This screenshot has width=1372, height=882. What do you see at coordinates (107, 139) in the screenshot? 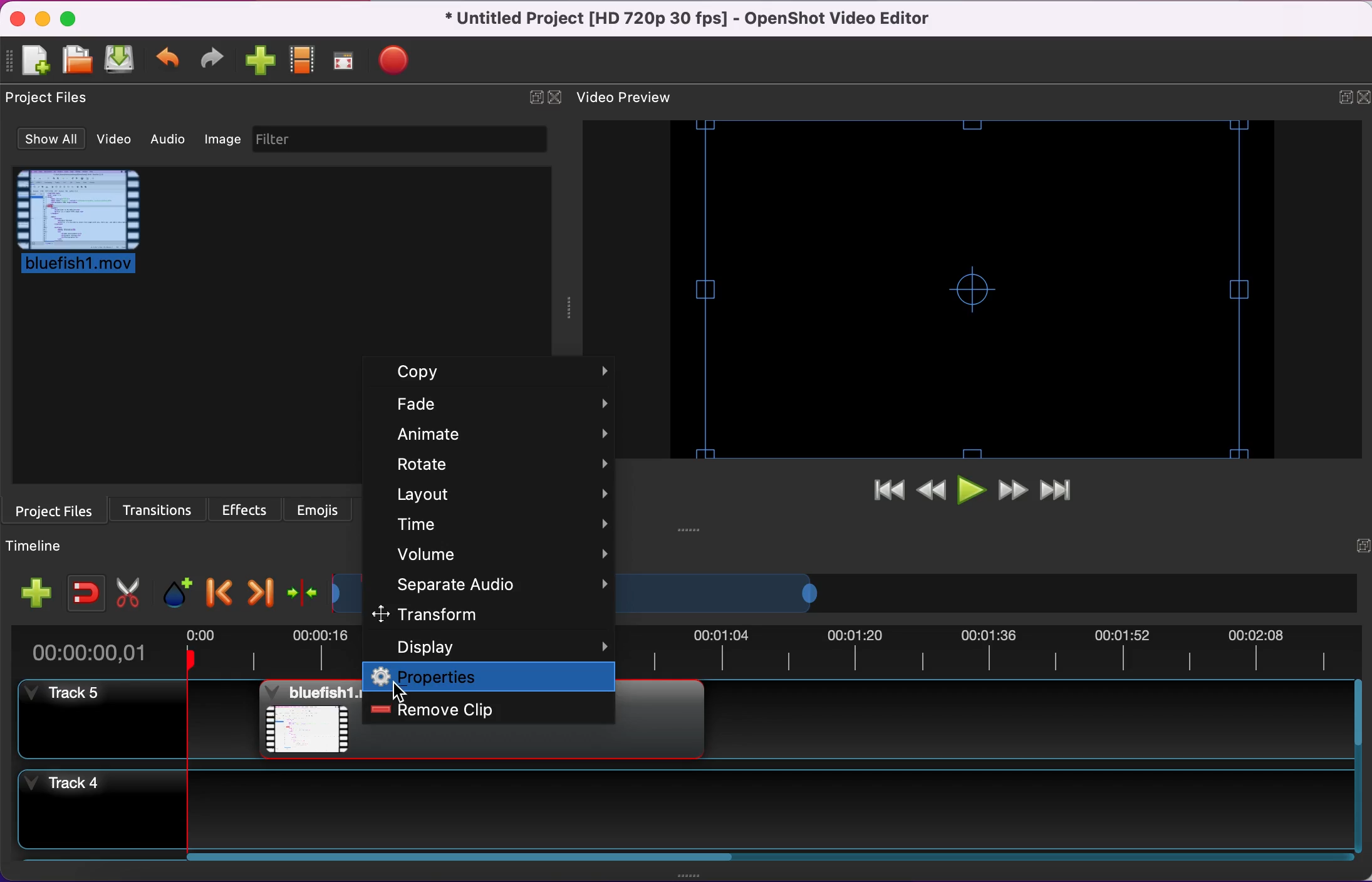
I see `video` at bounding box center [107, 139].